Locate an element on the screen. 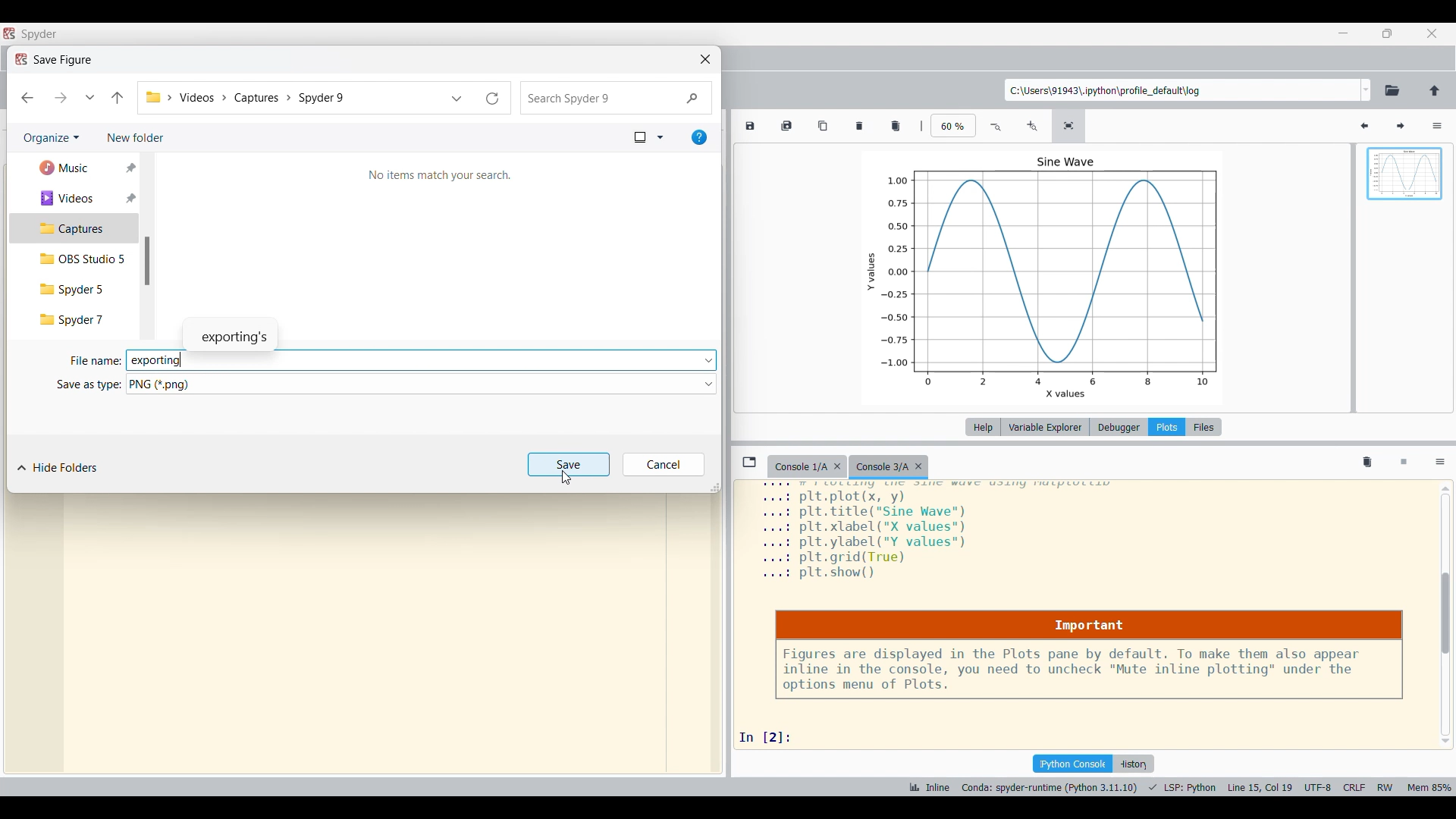  Description of current folder is located at coordinates (437, 174).